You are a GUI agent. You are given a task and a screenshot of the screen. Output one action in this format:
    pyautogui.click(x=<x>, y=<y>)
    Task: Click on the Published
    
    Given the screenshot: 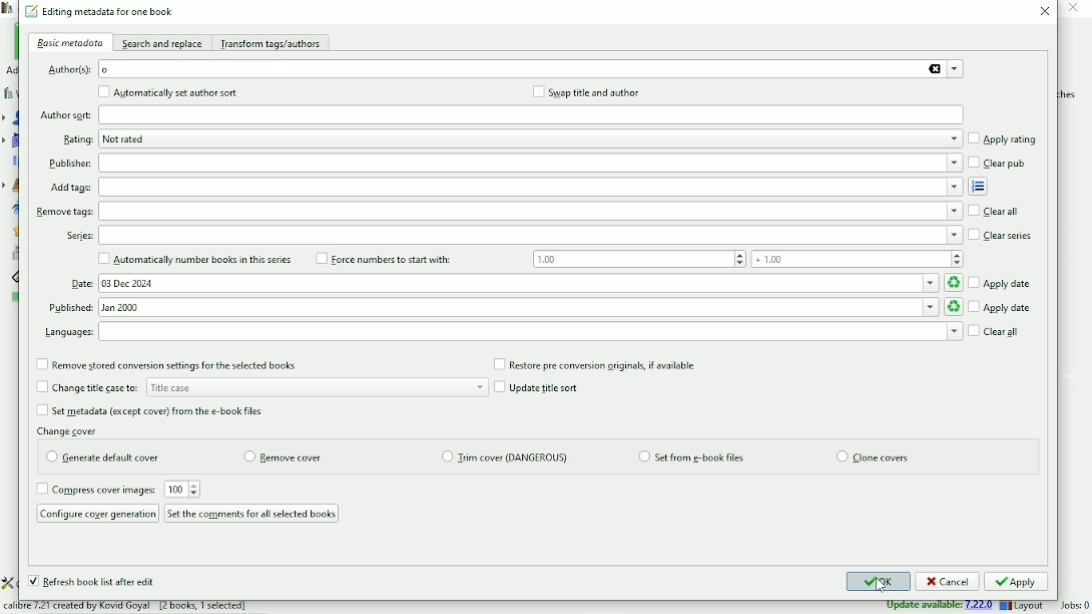 What is the action you would take?
    pyautogui.click(x=529, y=307)
    